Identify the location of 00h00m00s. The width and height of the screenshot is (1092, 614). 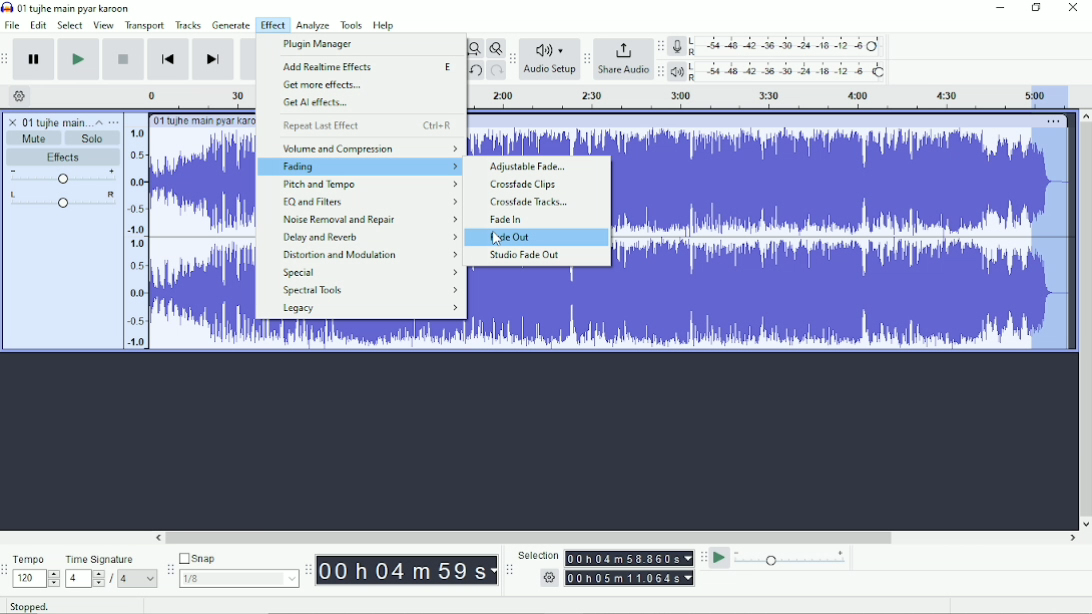
(408, 571).